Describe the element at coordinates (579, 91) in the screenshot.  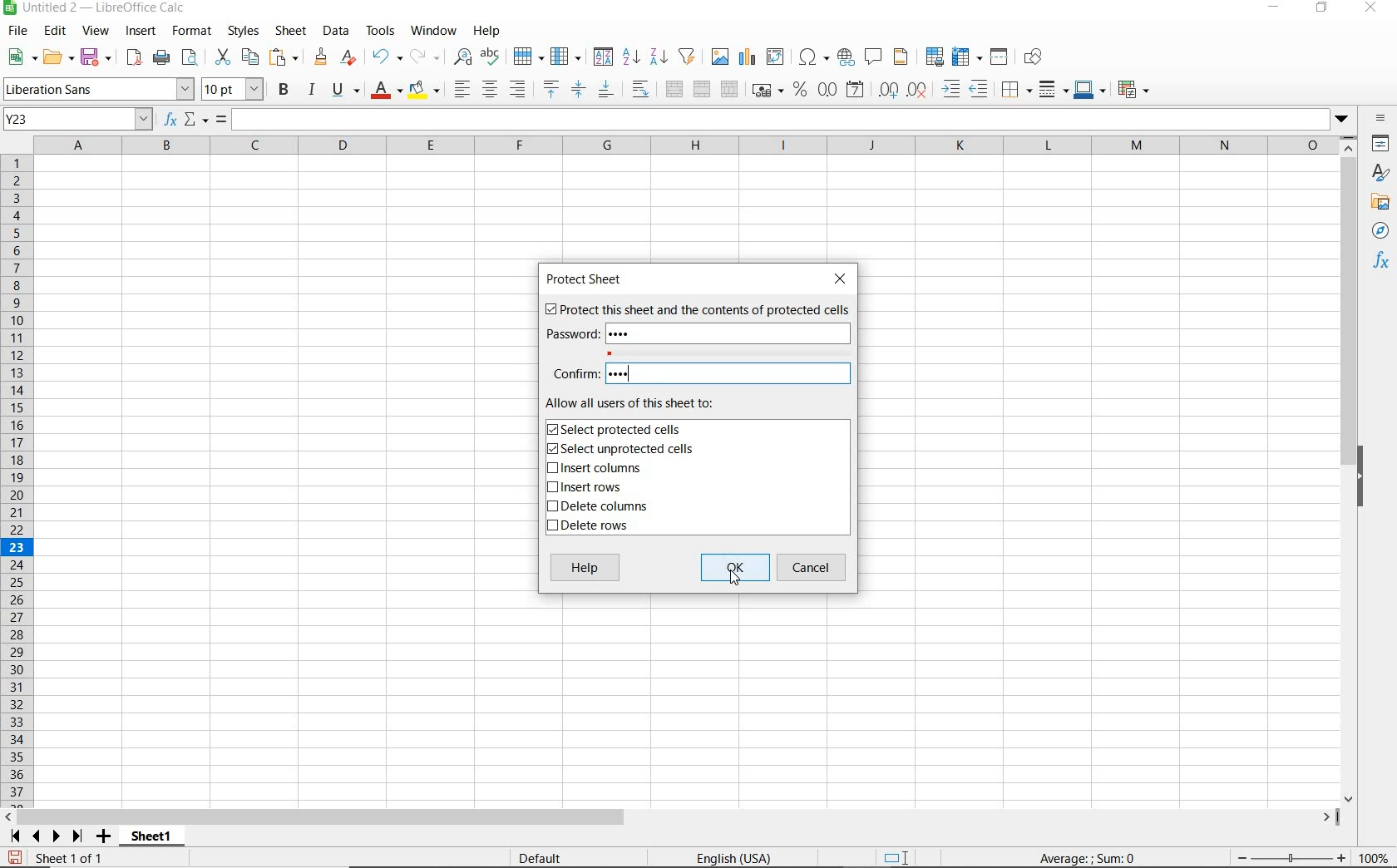
I see `CENTER VERTICALLY` at that location.